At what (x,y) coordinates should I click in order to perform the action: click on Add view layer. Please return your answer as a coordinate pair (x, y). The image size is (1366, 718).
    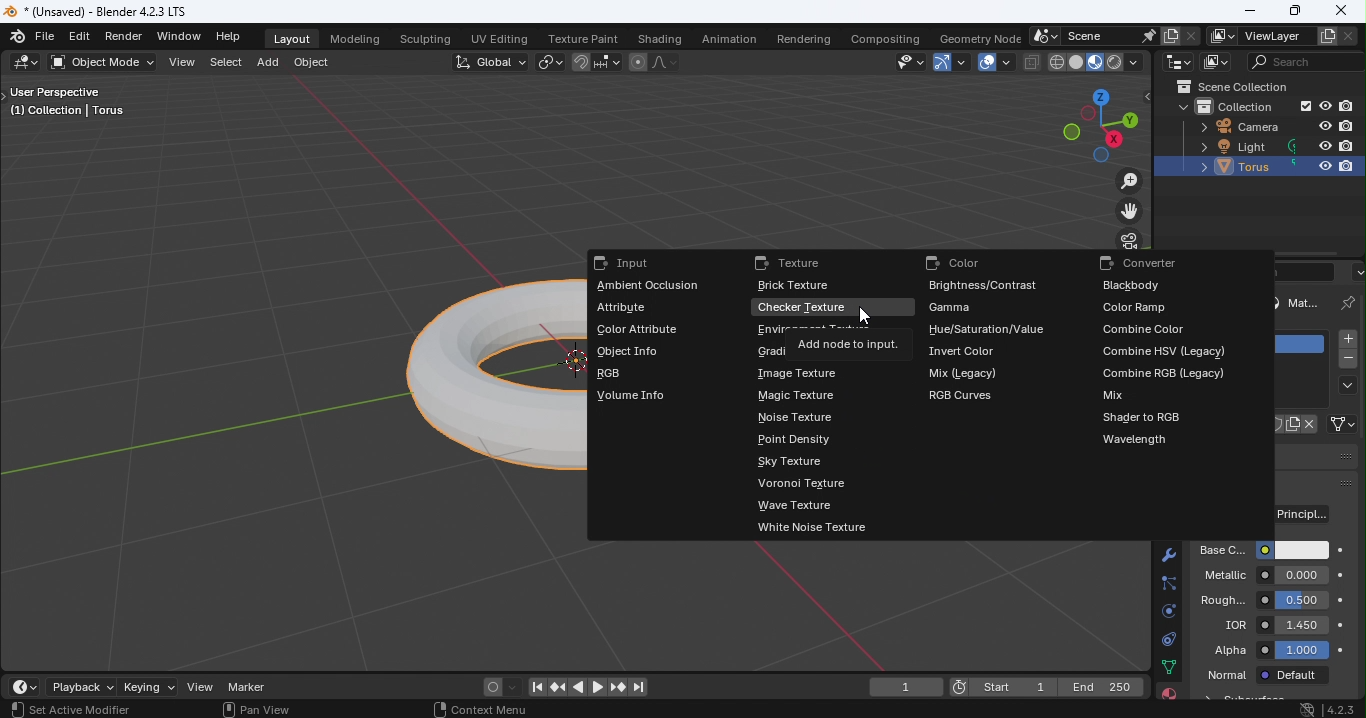
    Looking at the image, I should click on (1329, 35).